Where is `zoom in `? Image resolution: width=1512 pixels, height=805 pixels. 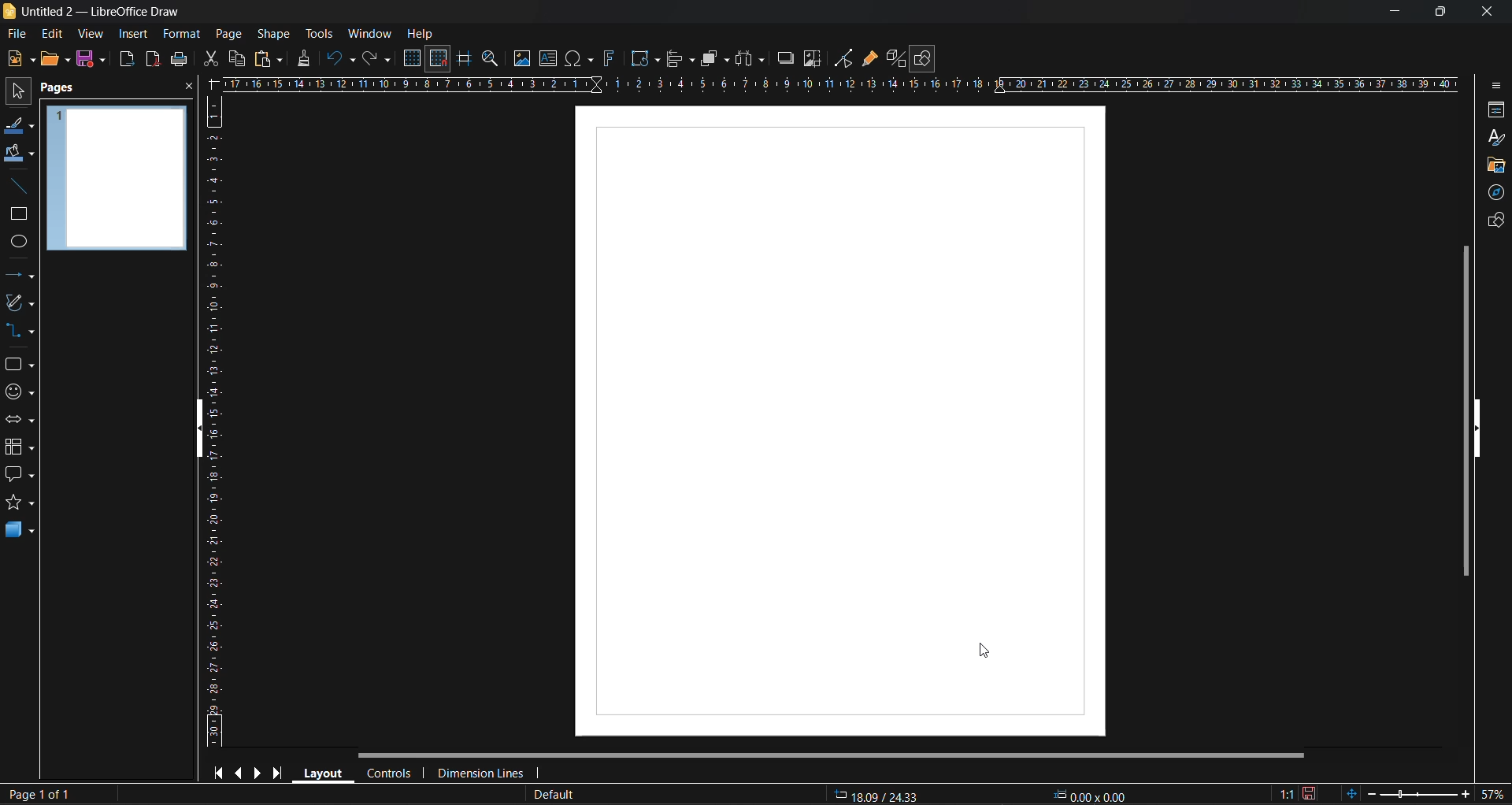
zoom in  is located at coordinates (1459, 796).